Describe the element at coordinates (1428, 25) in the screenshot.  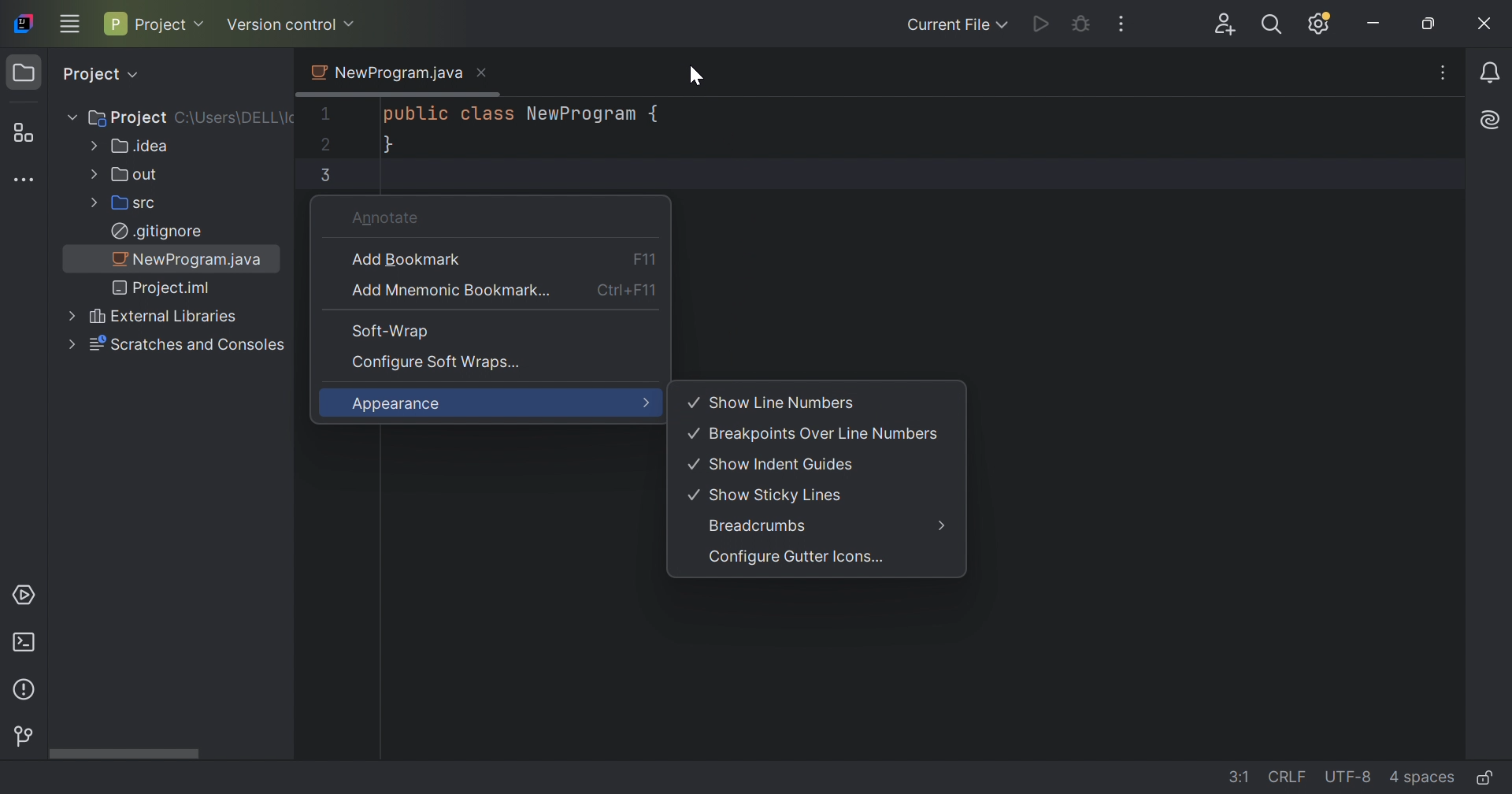
I see `Restore Down` at that location.